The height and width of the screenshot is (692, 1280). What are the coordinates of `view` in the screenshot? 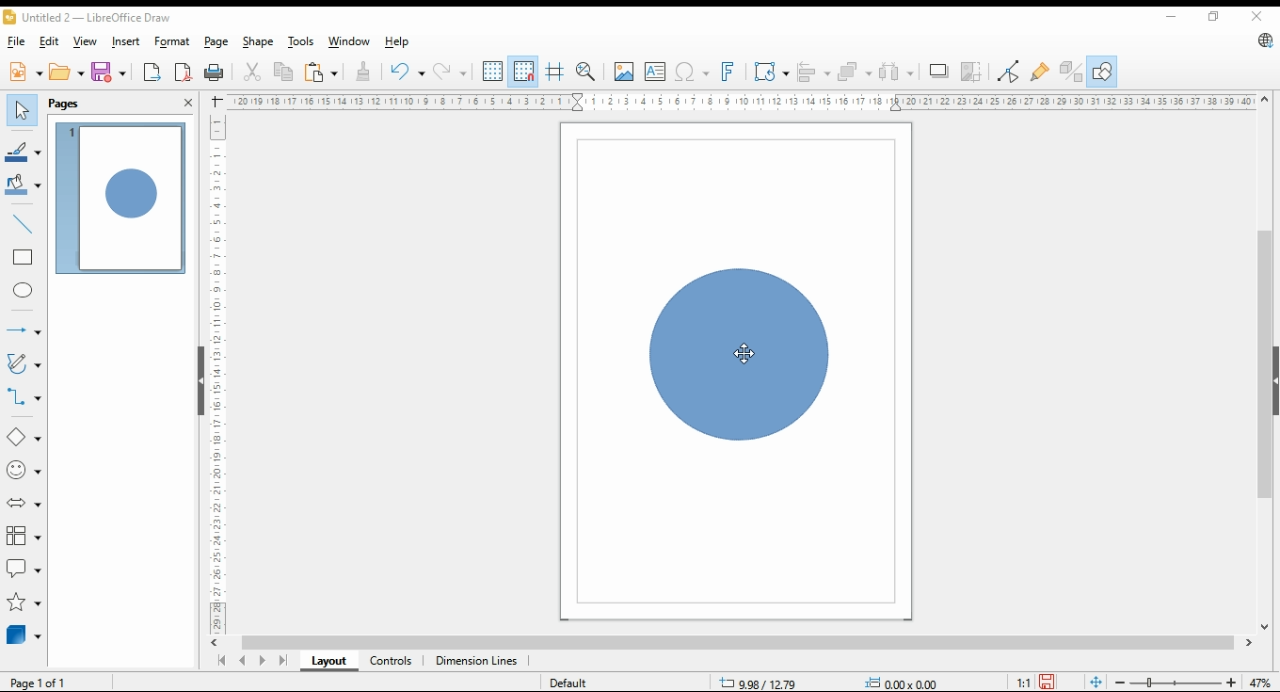 It's located at (84, 41).